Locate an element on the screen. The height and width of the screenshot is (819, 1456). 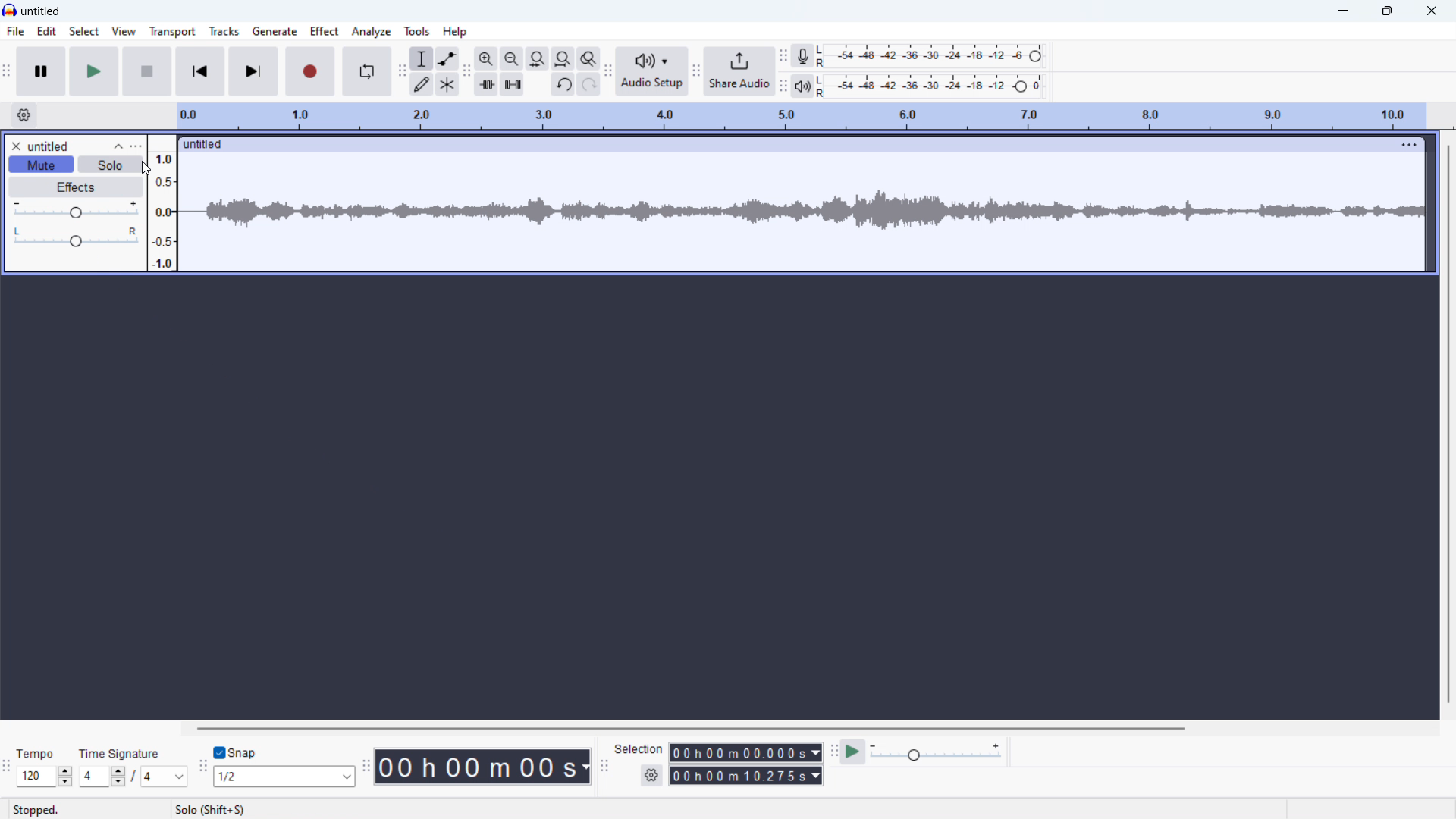
playback level is located at coordinates (930, 86).